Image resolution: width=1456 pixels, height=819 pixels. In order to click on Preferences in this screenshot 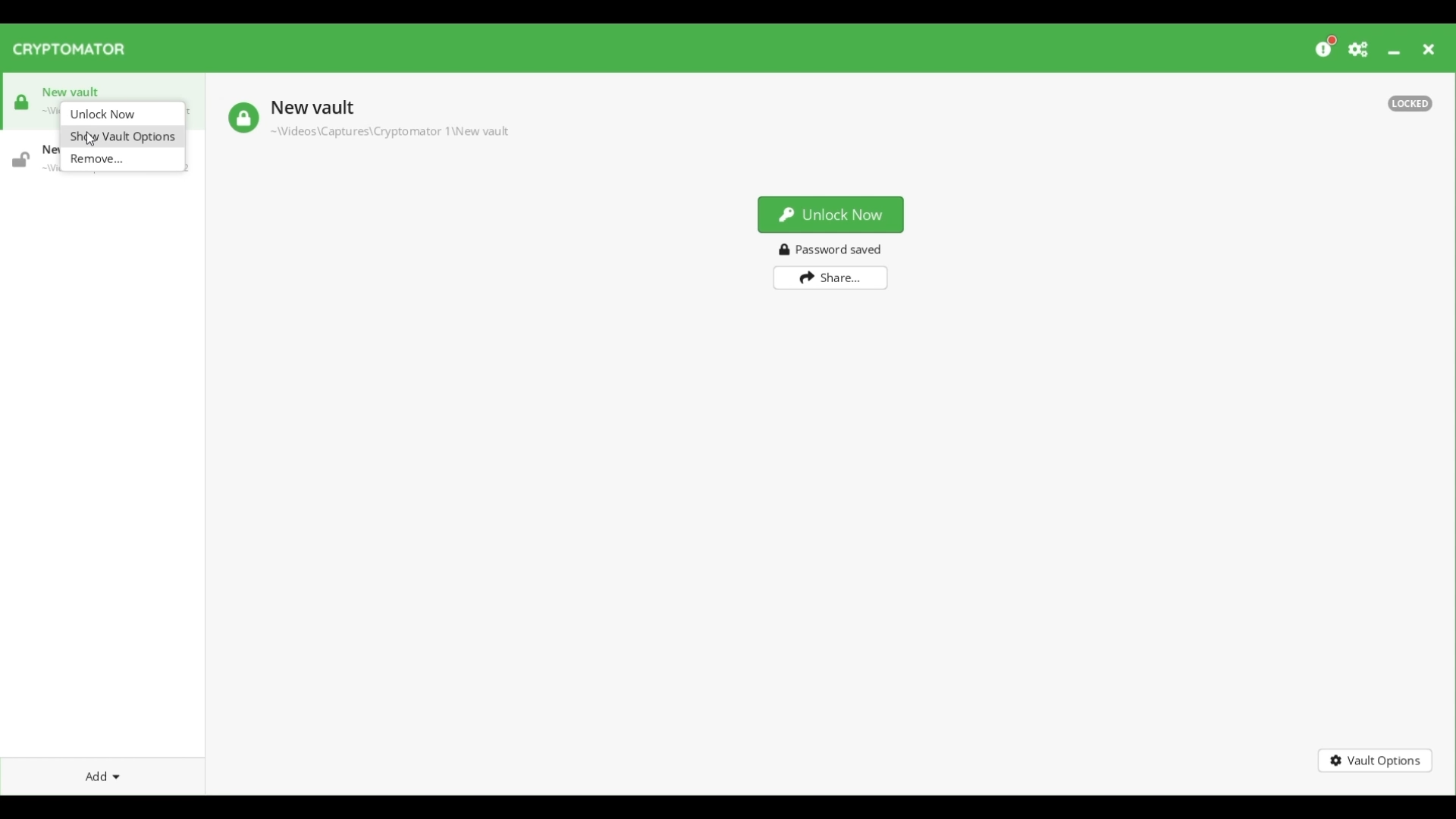, I will do `click(1359, 49)`.